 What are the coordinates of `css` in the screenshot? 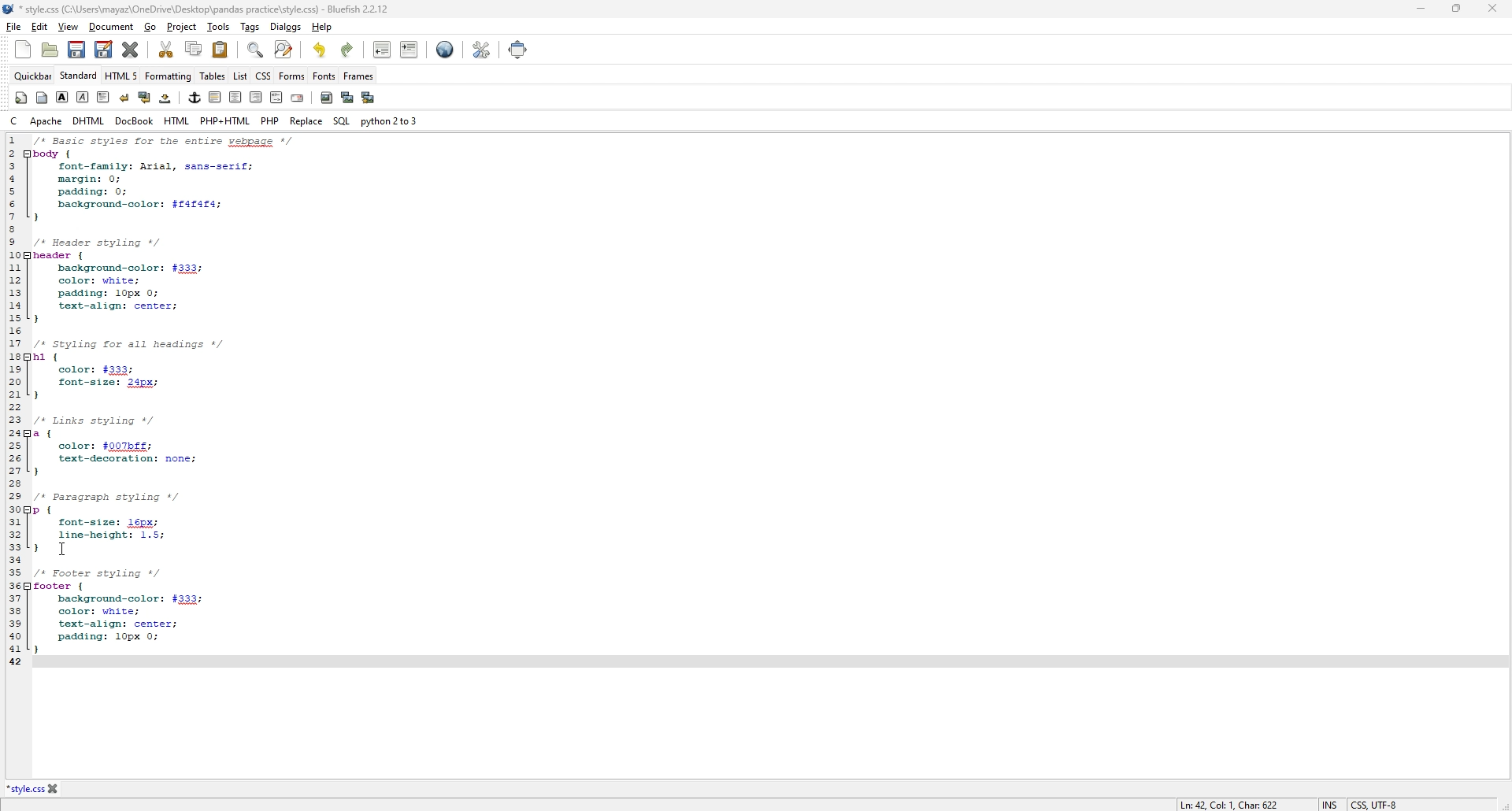 It's located at (265, 76).